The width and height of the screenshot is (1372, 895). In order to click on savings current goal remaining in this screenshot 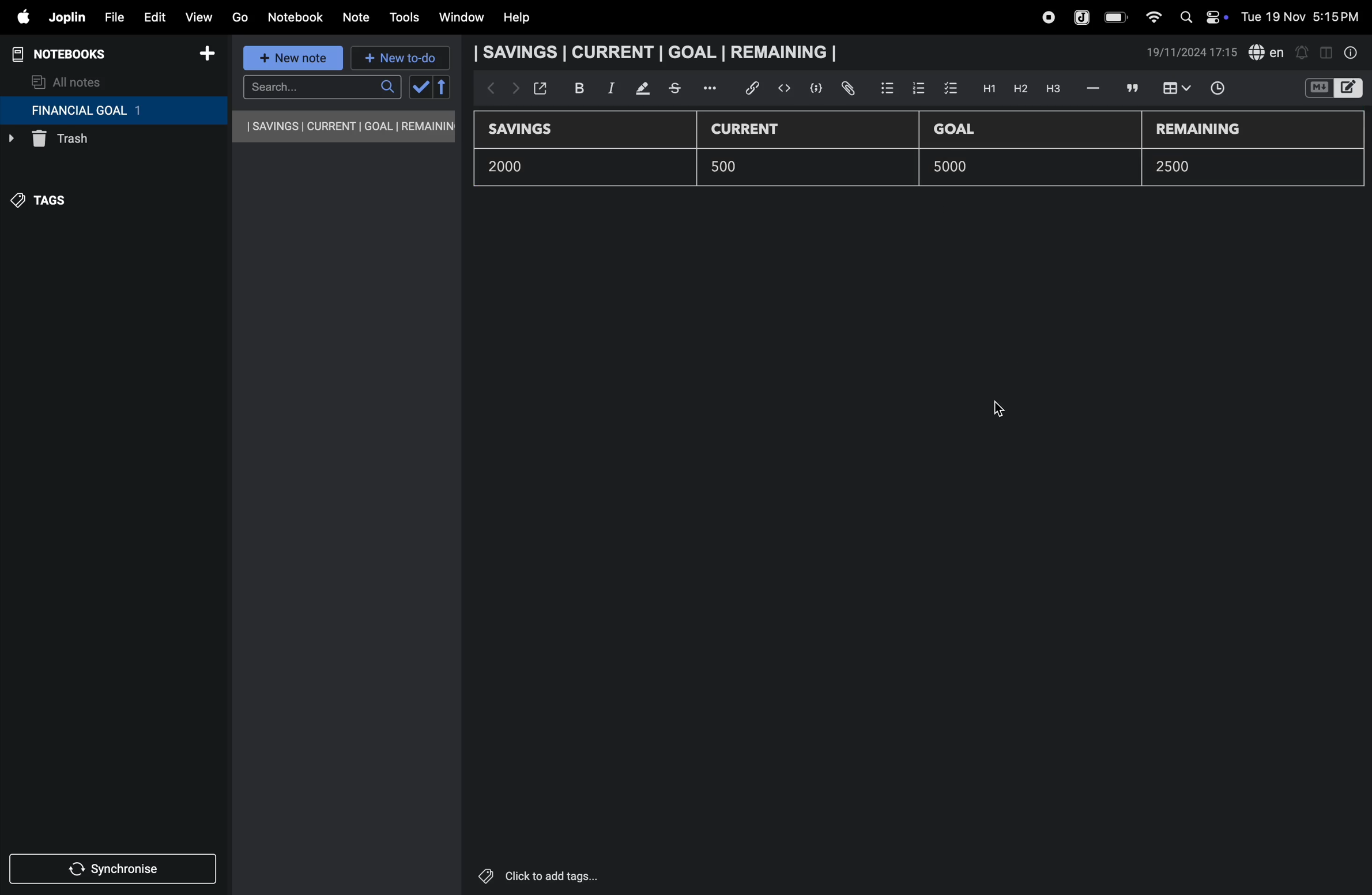, I will do `click(655, 52)`.